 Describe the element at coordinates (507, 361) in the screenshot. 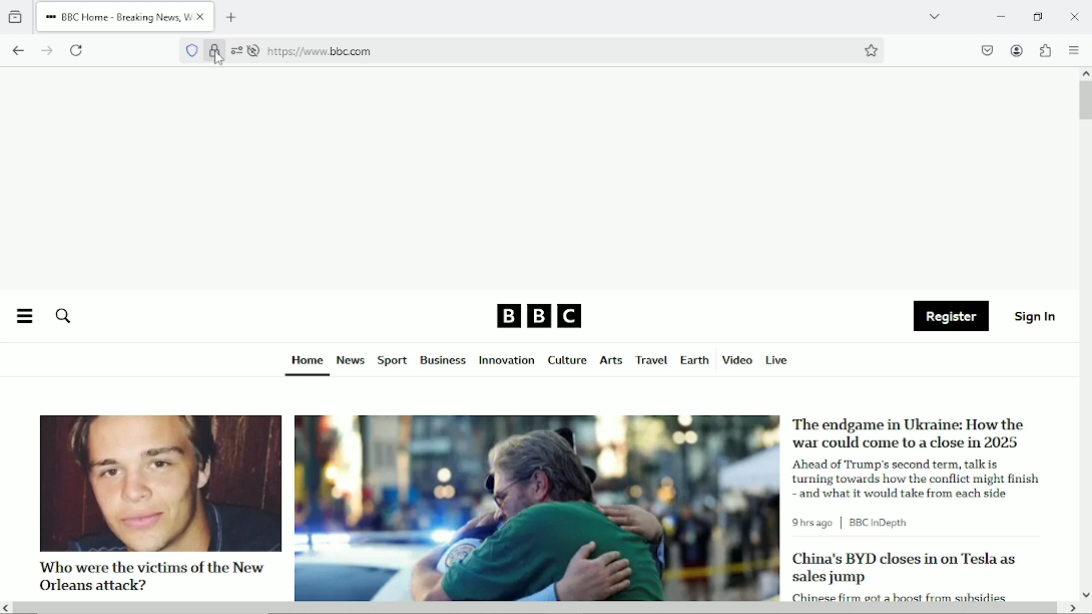

I see `Innovation` at that location.